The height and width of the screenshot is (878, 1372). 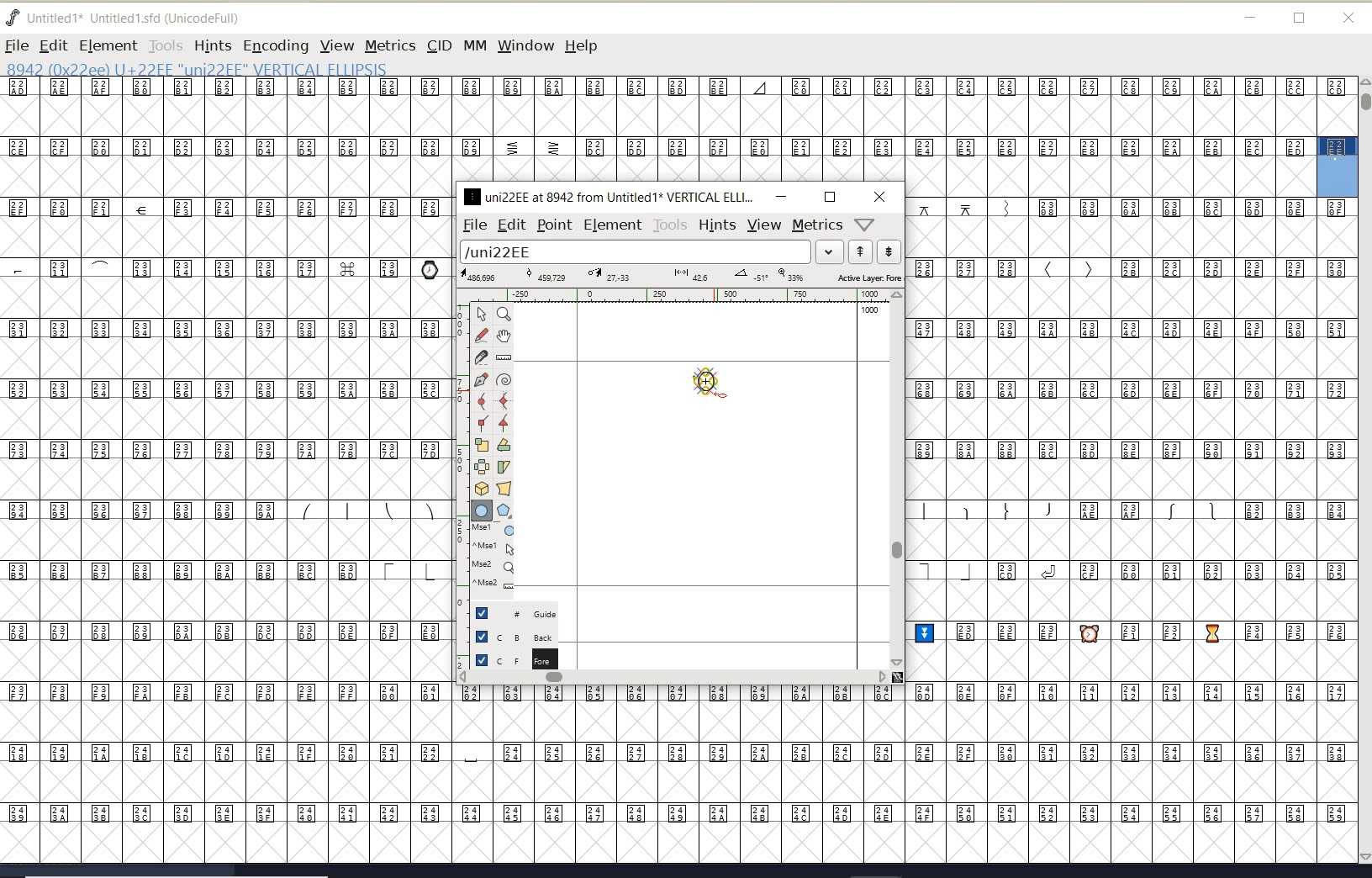 What do you see at coordinates (212, 46) in the screenshot?
I see `HINTS` at bounding box center [212, 46].